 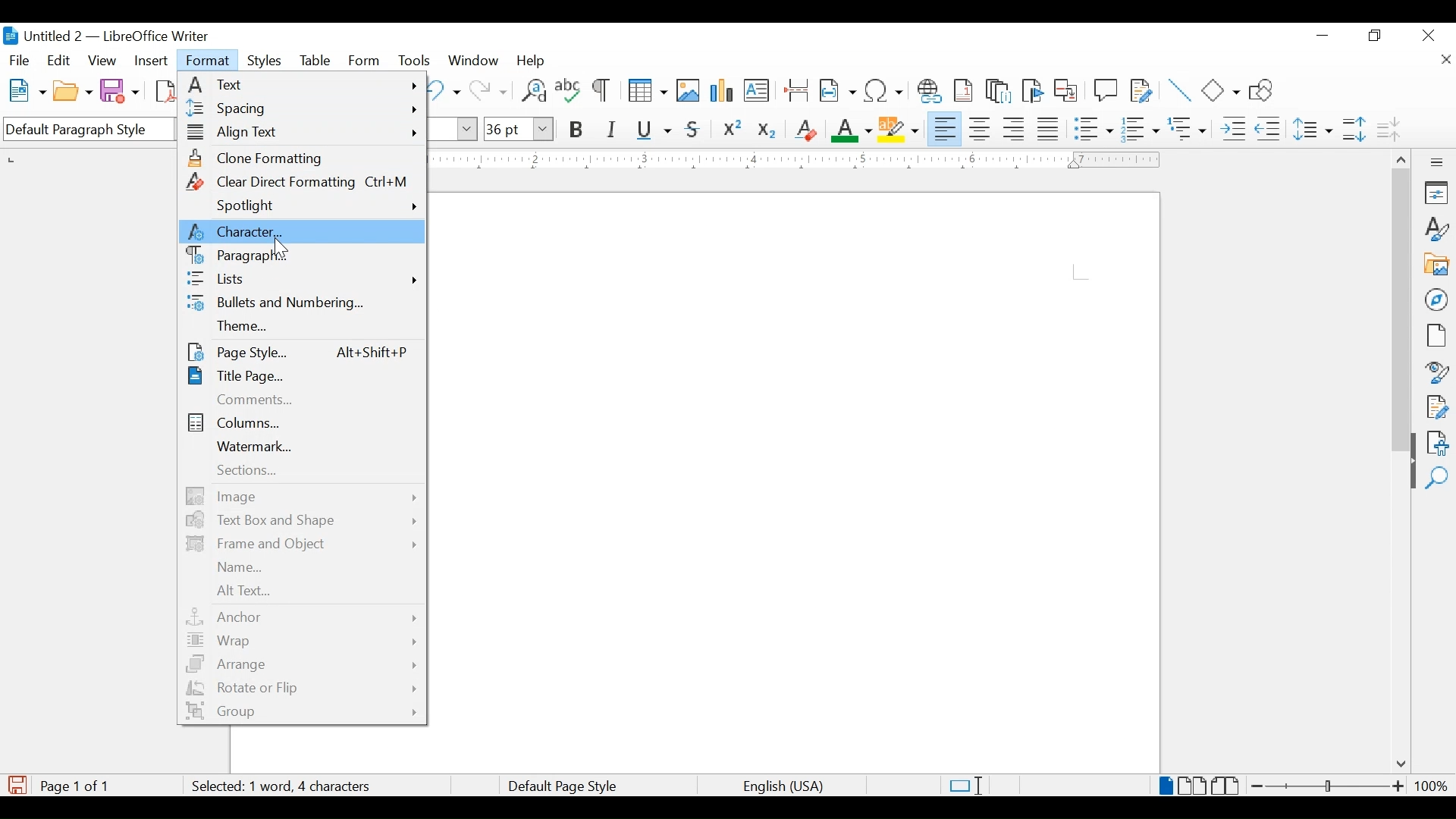 What do you see at coordinates (532, 90) in the screenshot?
I see `find and replace` at bounding box center [532, 90].